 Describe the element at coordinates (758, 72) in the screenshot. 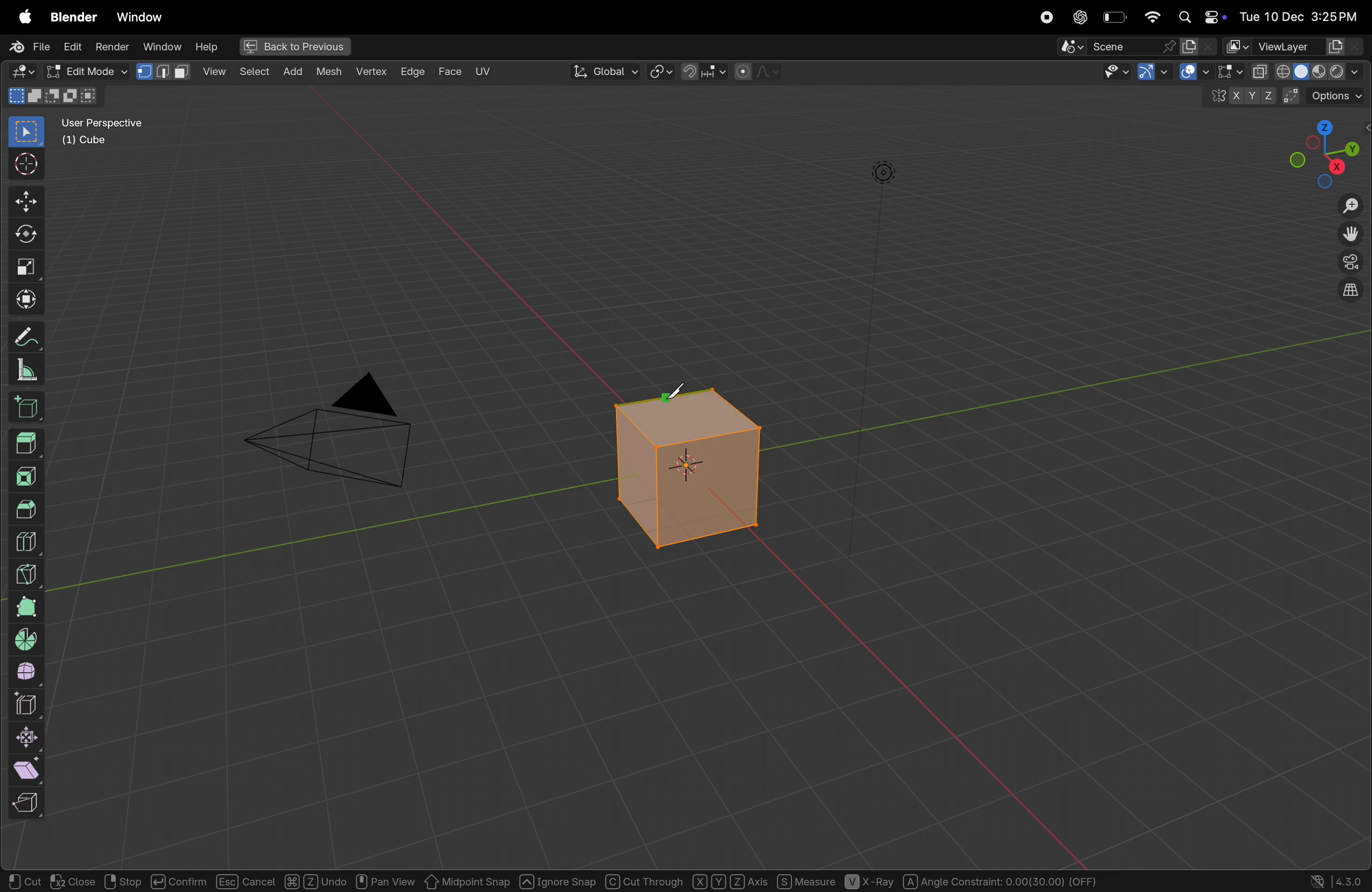

I see `proportional objects` at that location.